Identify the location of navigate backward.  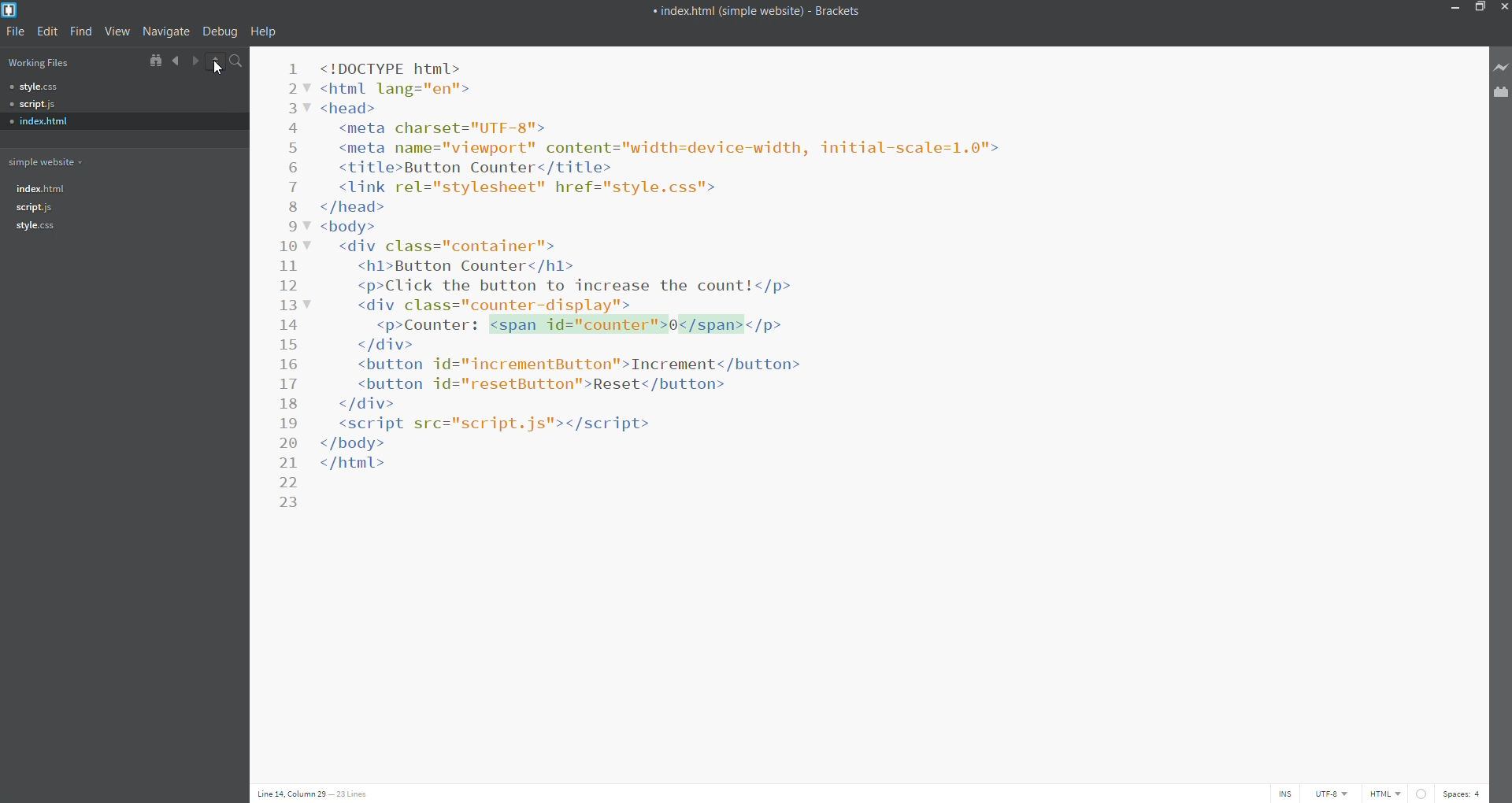
(176, 59).